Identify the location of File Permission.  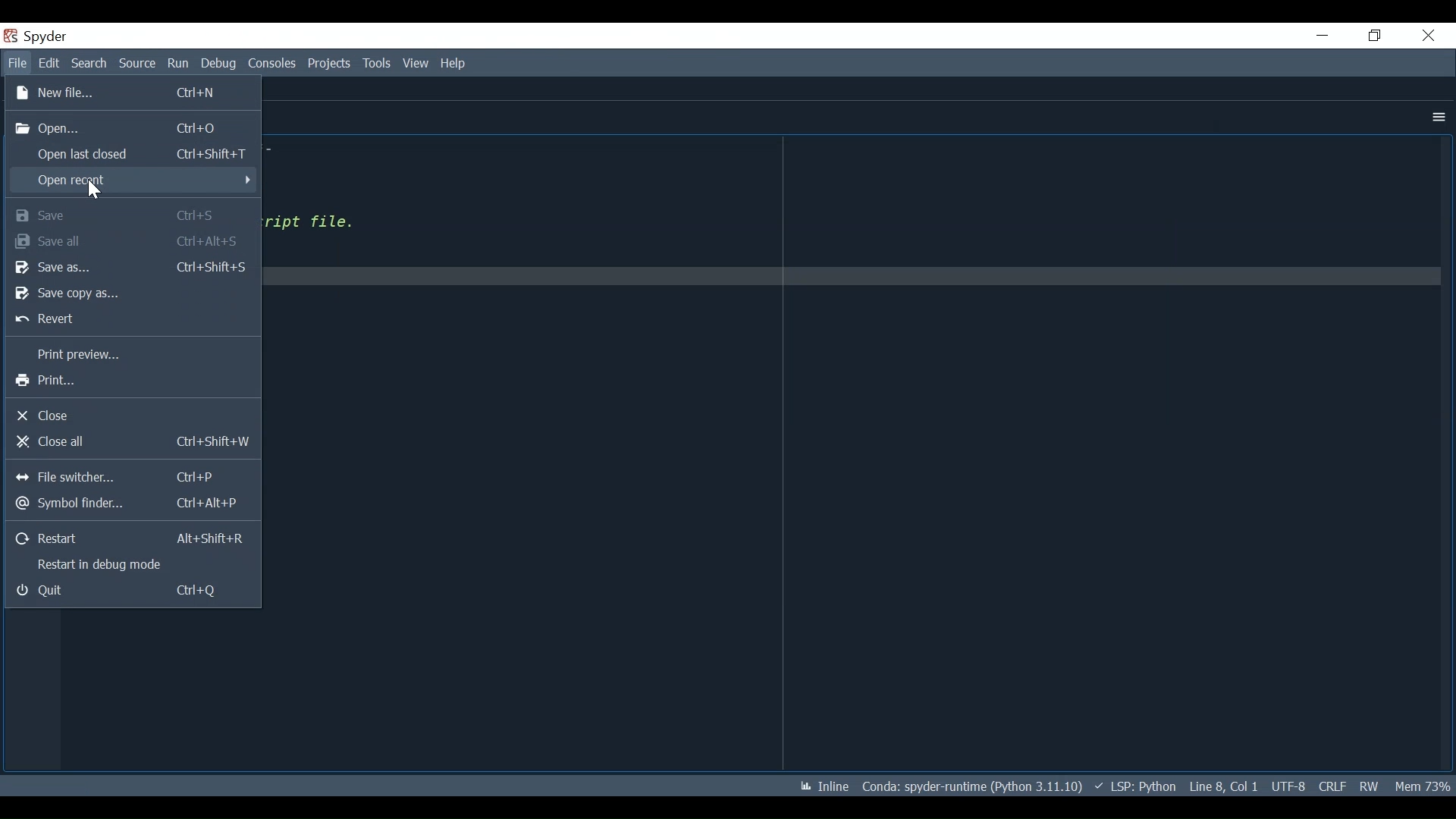
(1370, 786).